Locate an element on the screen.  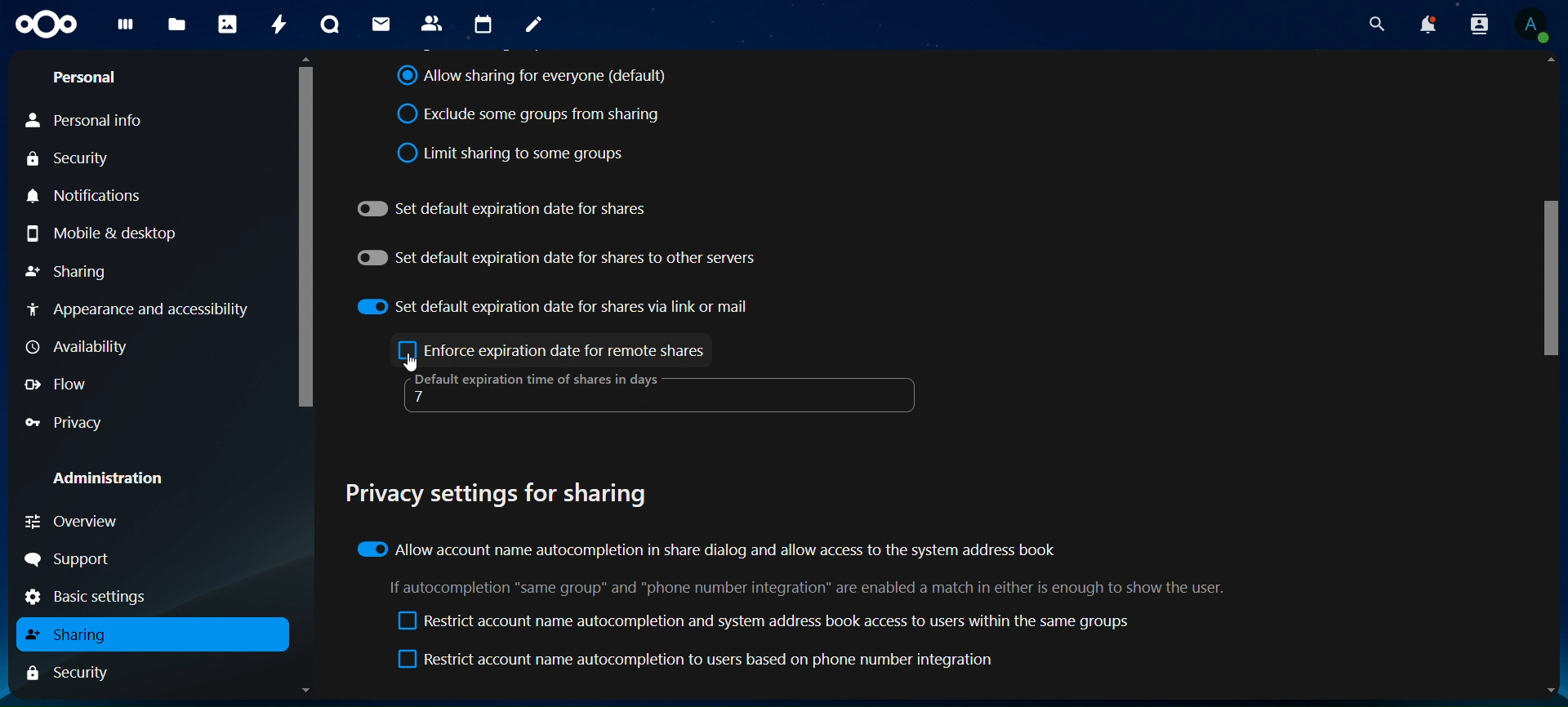
search is located at coordinates (1374, 24).